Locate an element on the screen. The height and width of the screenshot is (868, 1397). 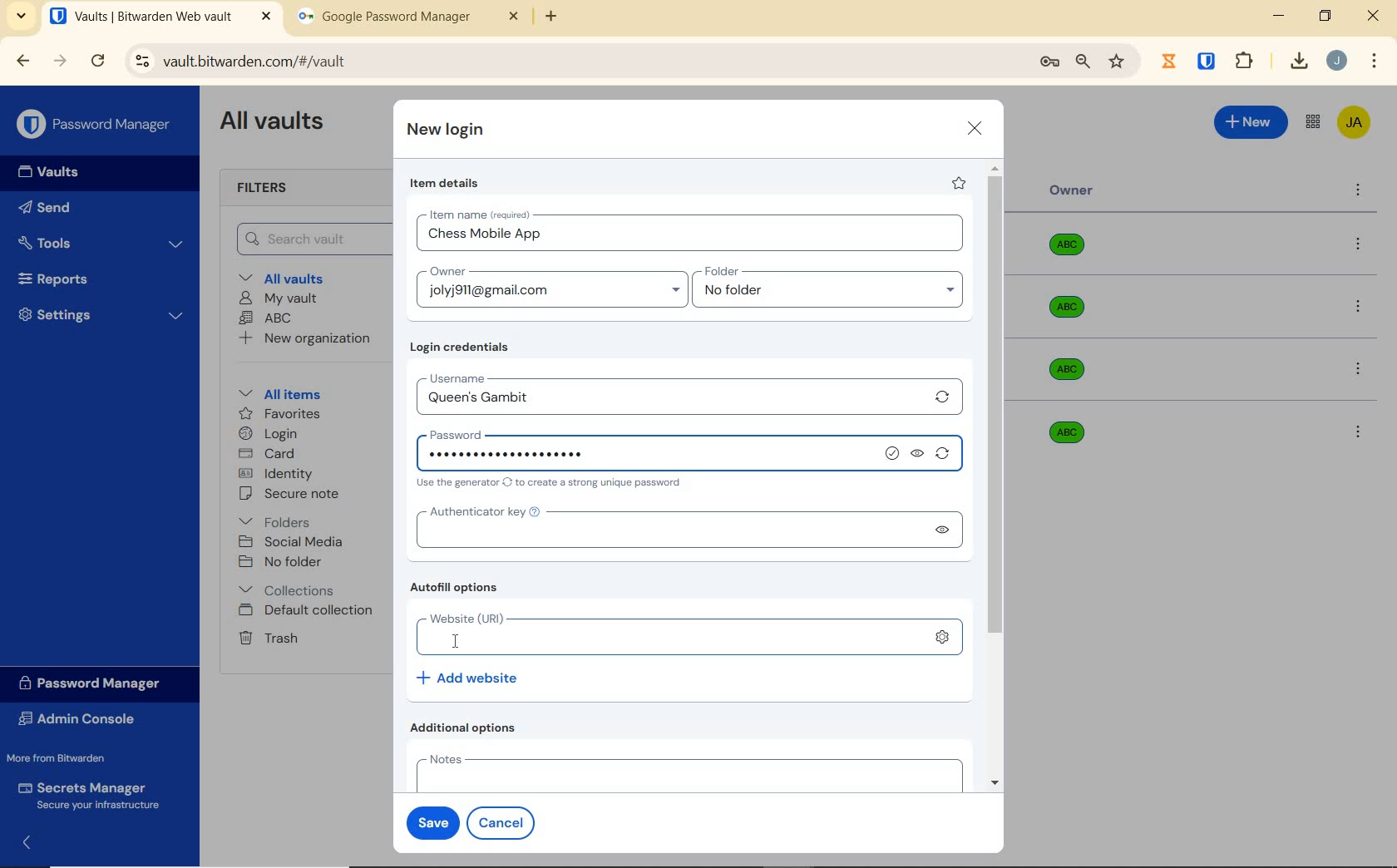
identity is located at coordinates (276, 474).